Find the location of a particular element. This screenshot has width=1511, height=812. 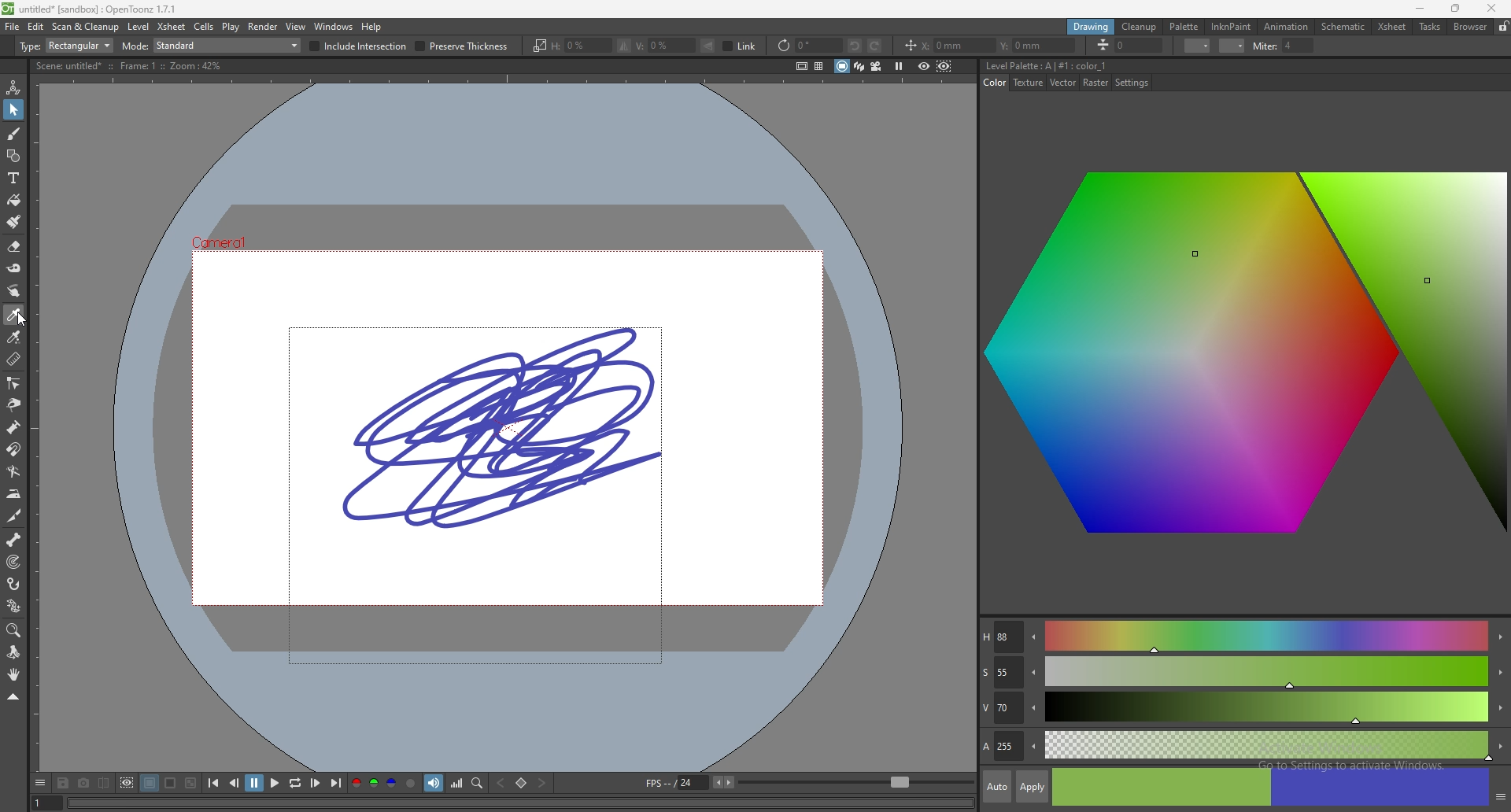

thickness is located at coordinates (1131, 45).